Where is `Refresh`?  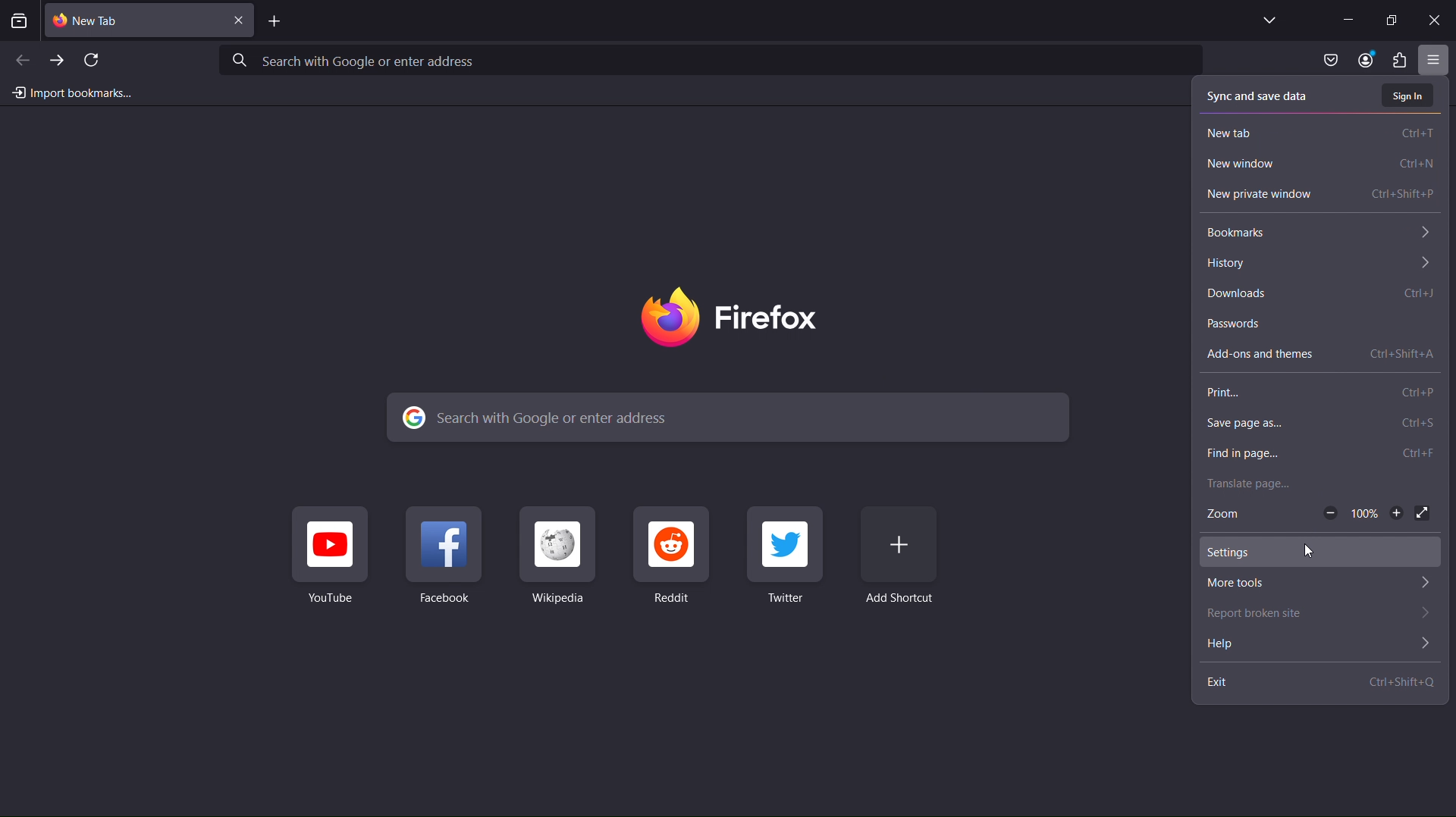
Refresh is located at coordinates (98, 61).